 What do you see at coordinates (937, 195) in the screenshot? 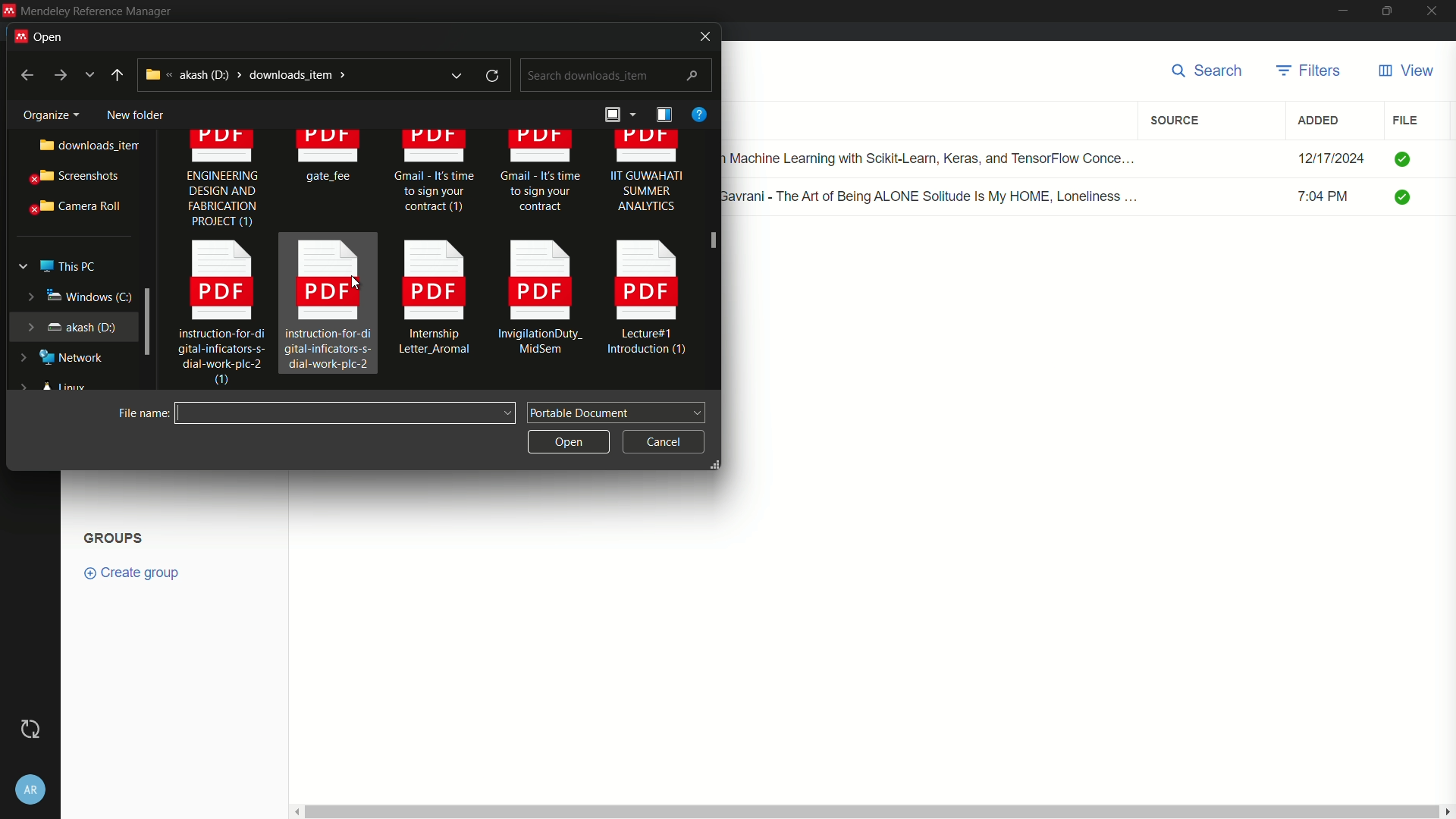
I see `Renuka Gavrani - The Art of Being ALONE Solitude Is My HOME, Loneliness ...` at bounding box center [937, 195].